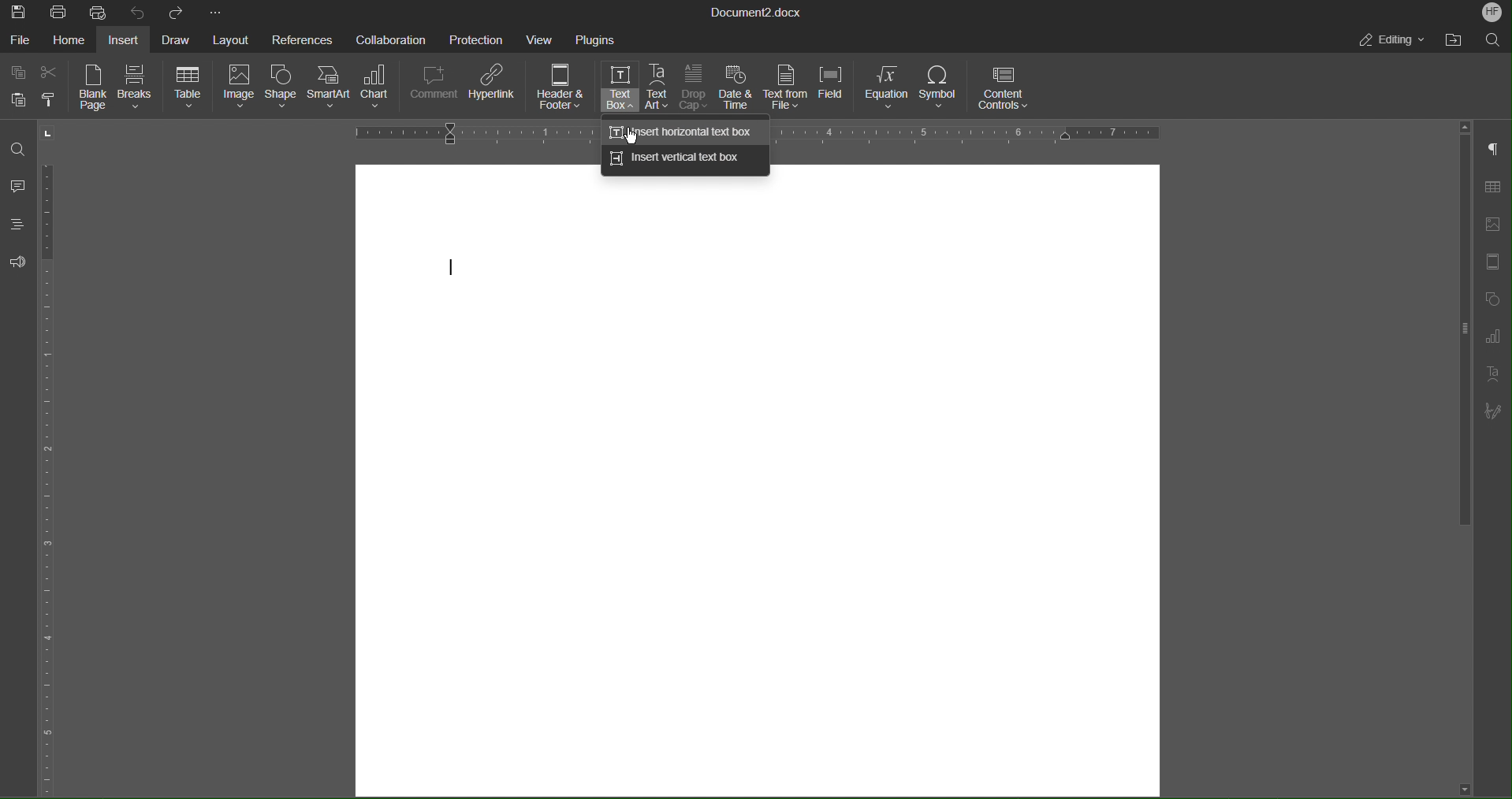  I want to click on Layout, so click(229, 39).